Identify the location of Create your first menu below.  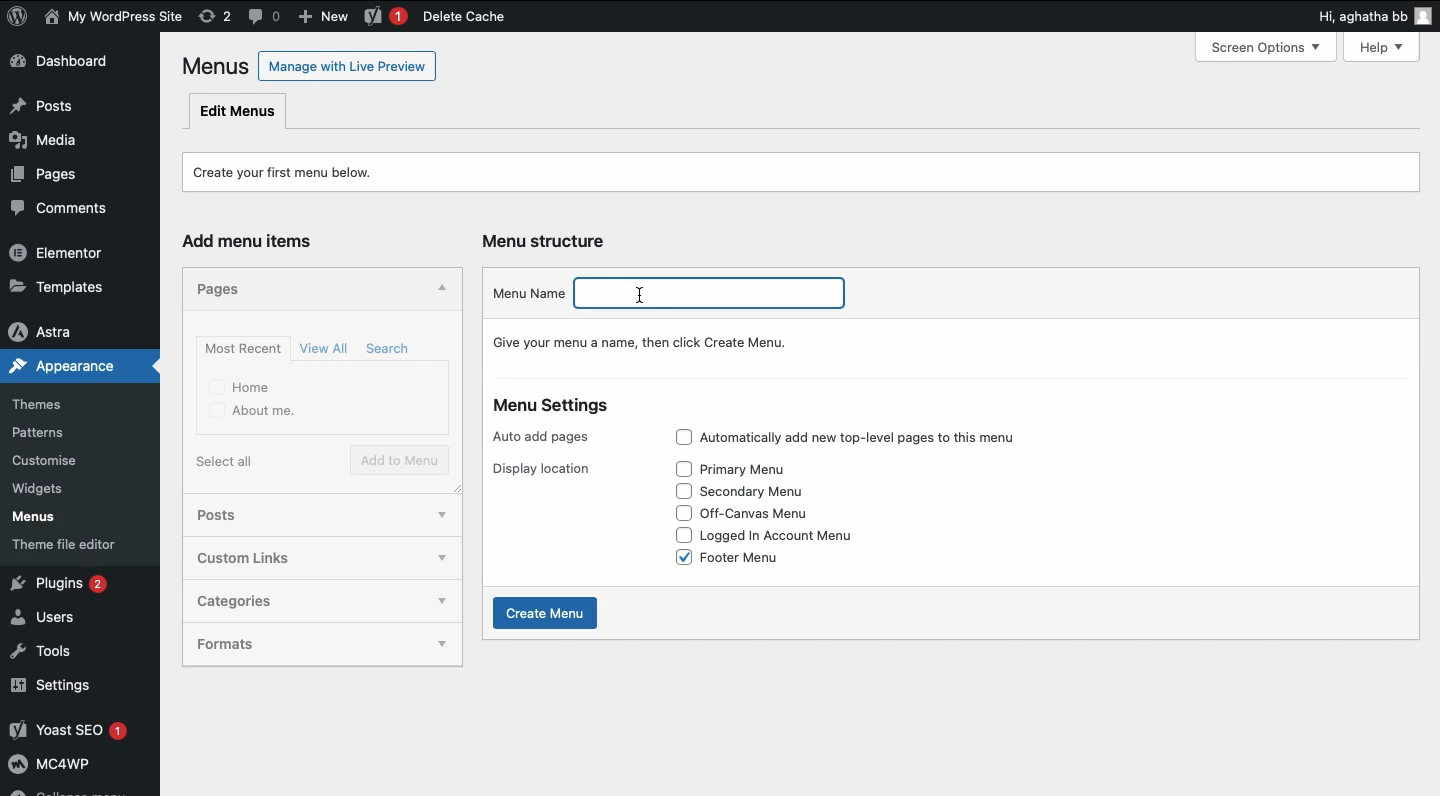
(292, 173).